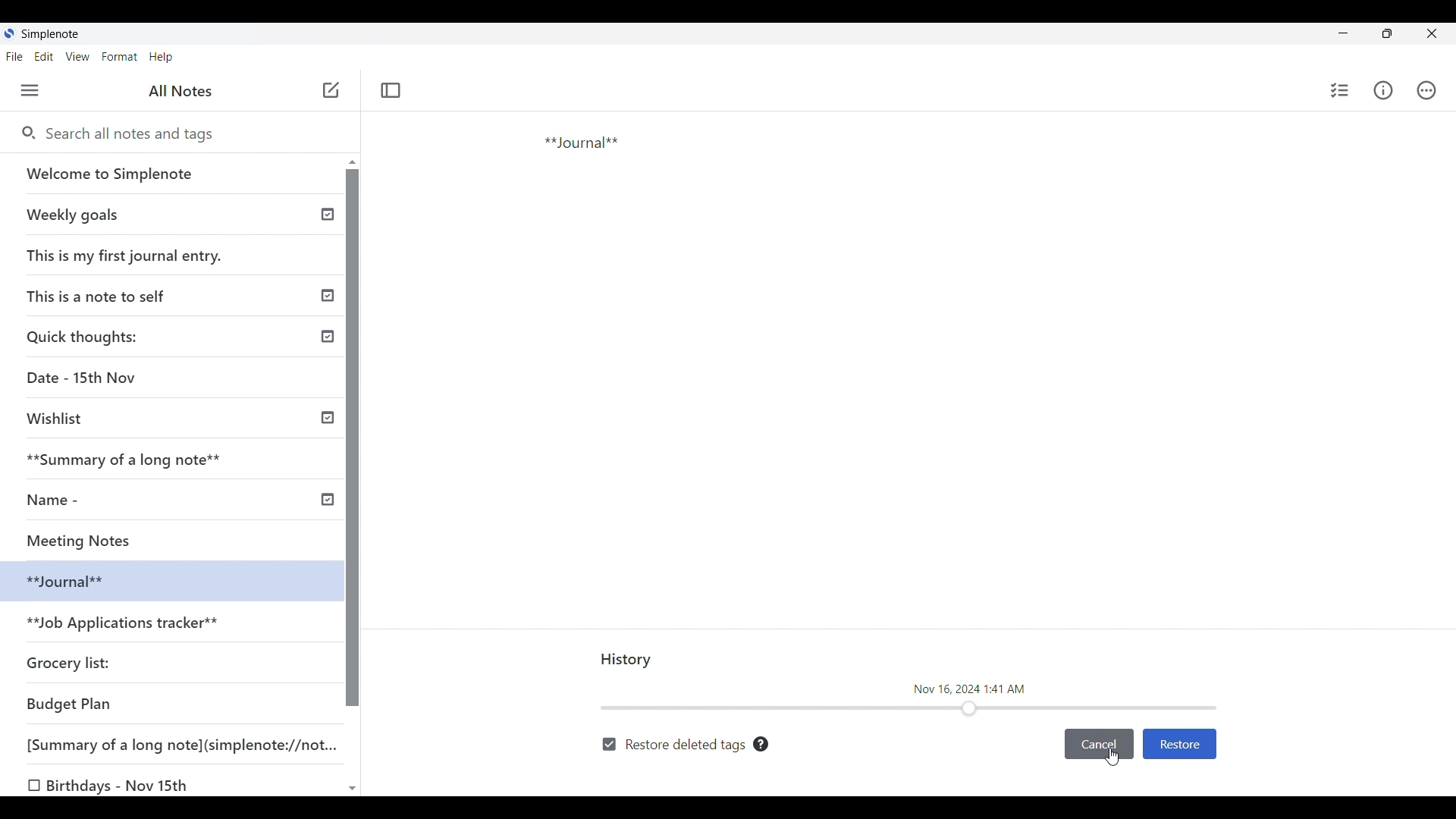 The image size is (1456, 819). What do you see at coordinates (331, 89) in the screenshot?
I see `Add new note` at bounding box center [331, 89].